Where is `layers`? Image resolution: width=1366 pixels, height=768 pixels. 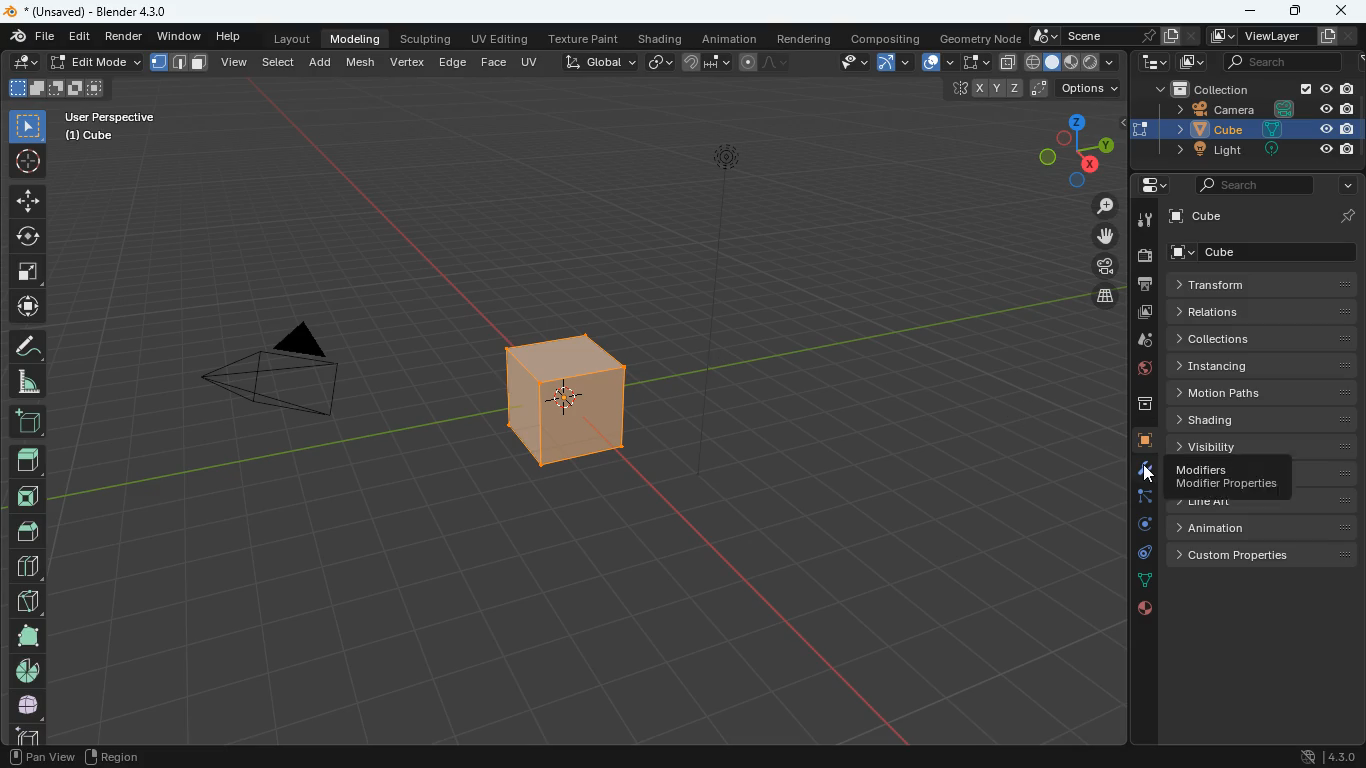
layers is located at coordinates (1097, 296).